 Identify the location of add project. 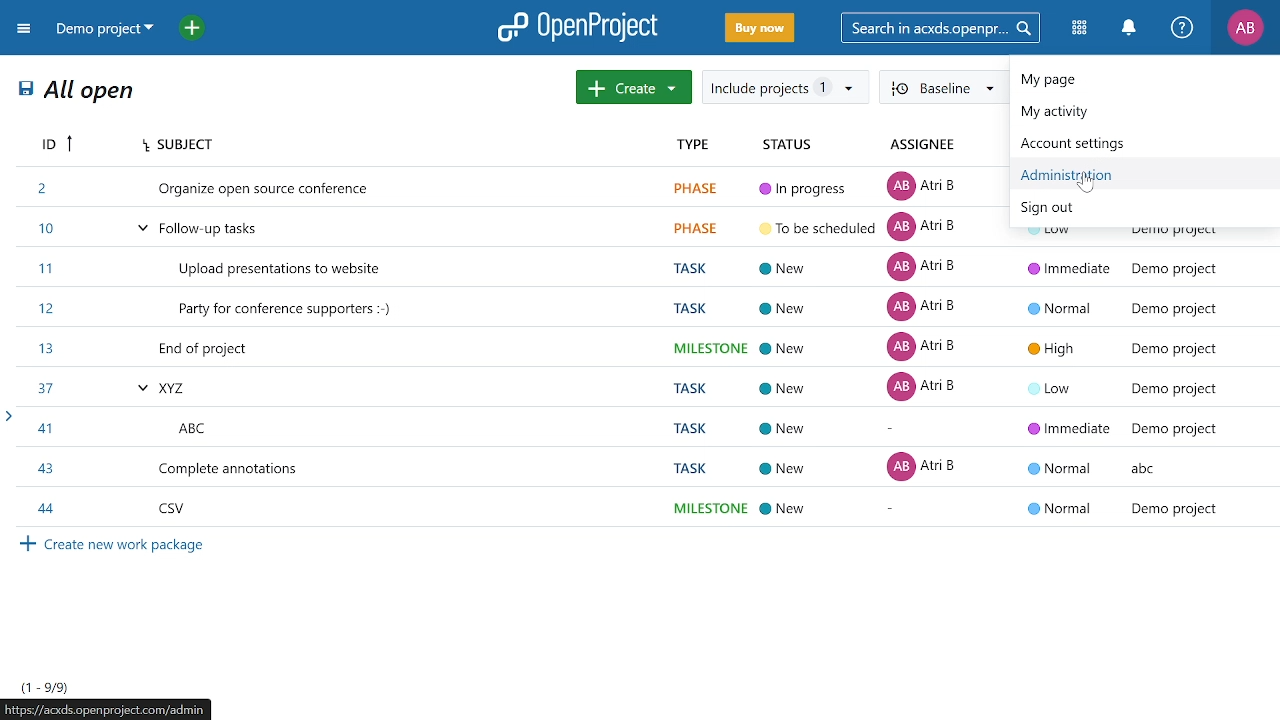
(197, 30).